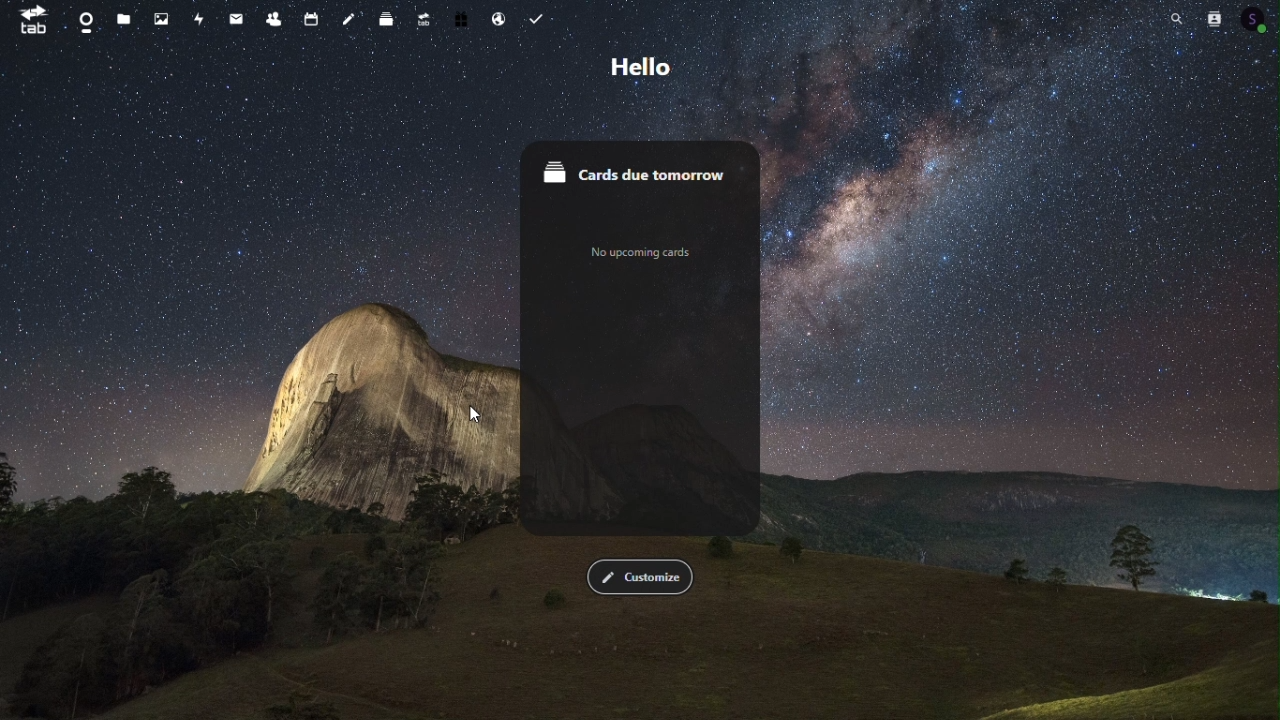 This screenshot has height=720, width=1280. What do you see at coordinates (308, 18) in the screenshot?
I see `Calendar` at bounding box center [308, 18].